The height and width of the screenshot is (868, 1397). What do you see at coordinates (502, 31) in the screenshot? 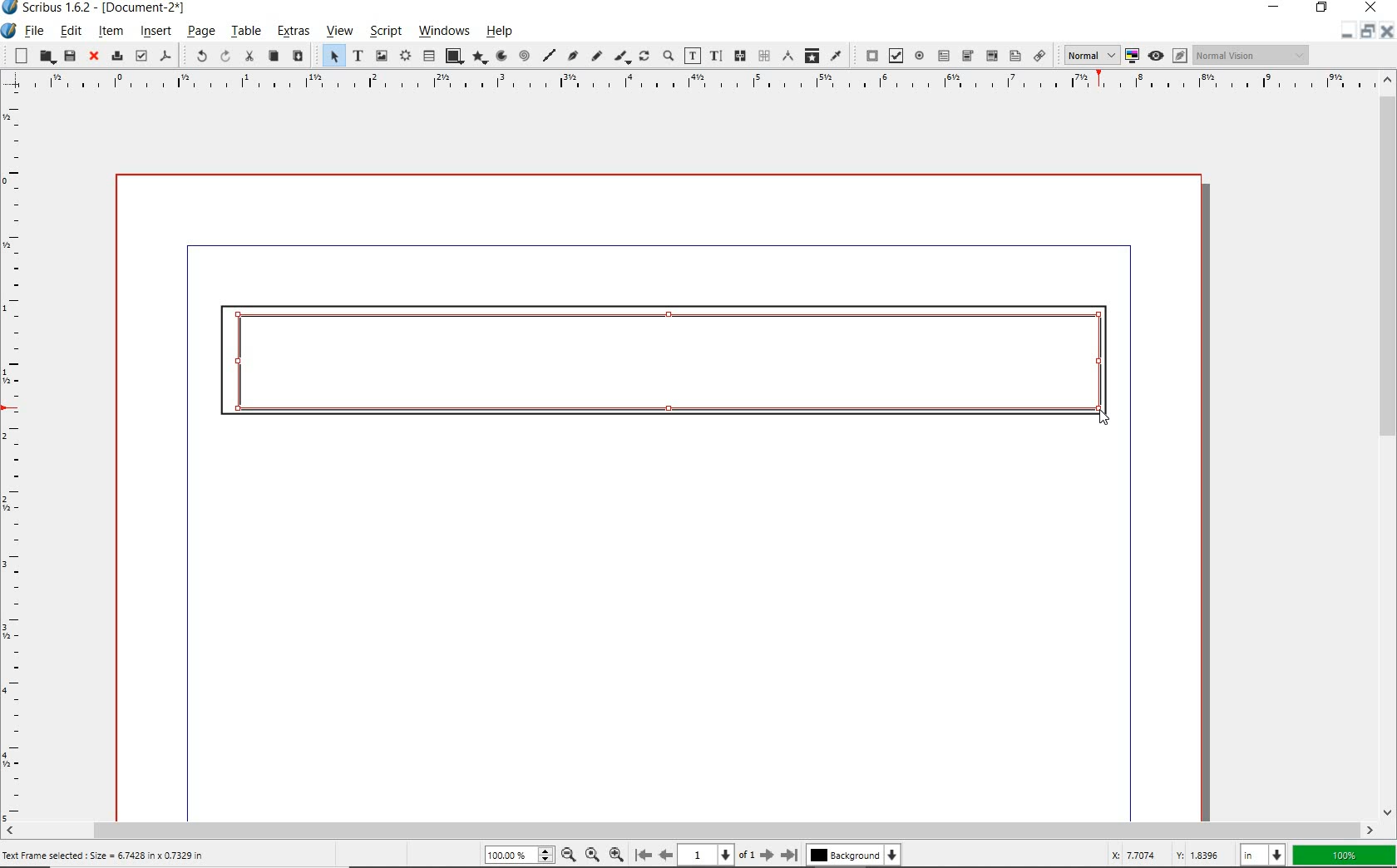
I see `help` at bounding box center [502, 31].